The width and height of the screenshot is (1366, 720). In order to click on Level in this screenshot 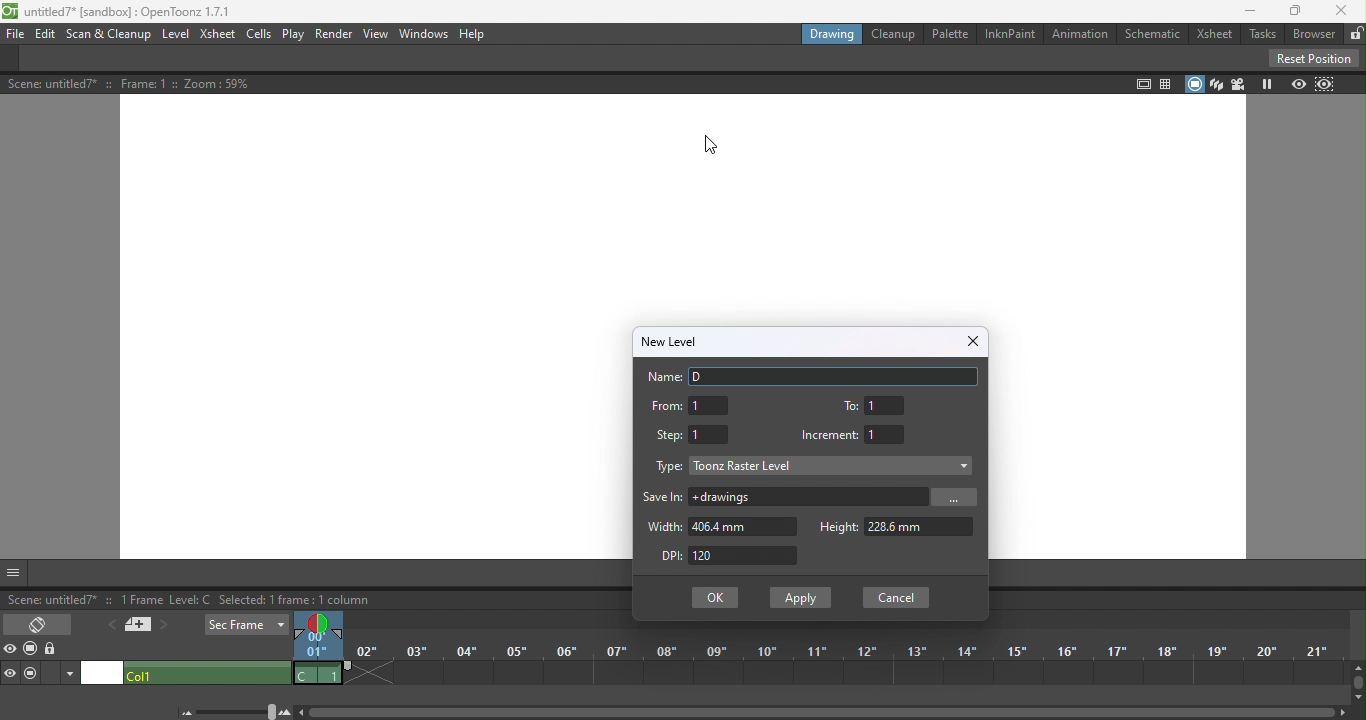, I will do `click(176, 35)`.